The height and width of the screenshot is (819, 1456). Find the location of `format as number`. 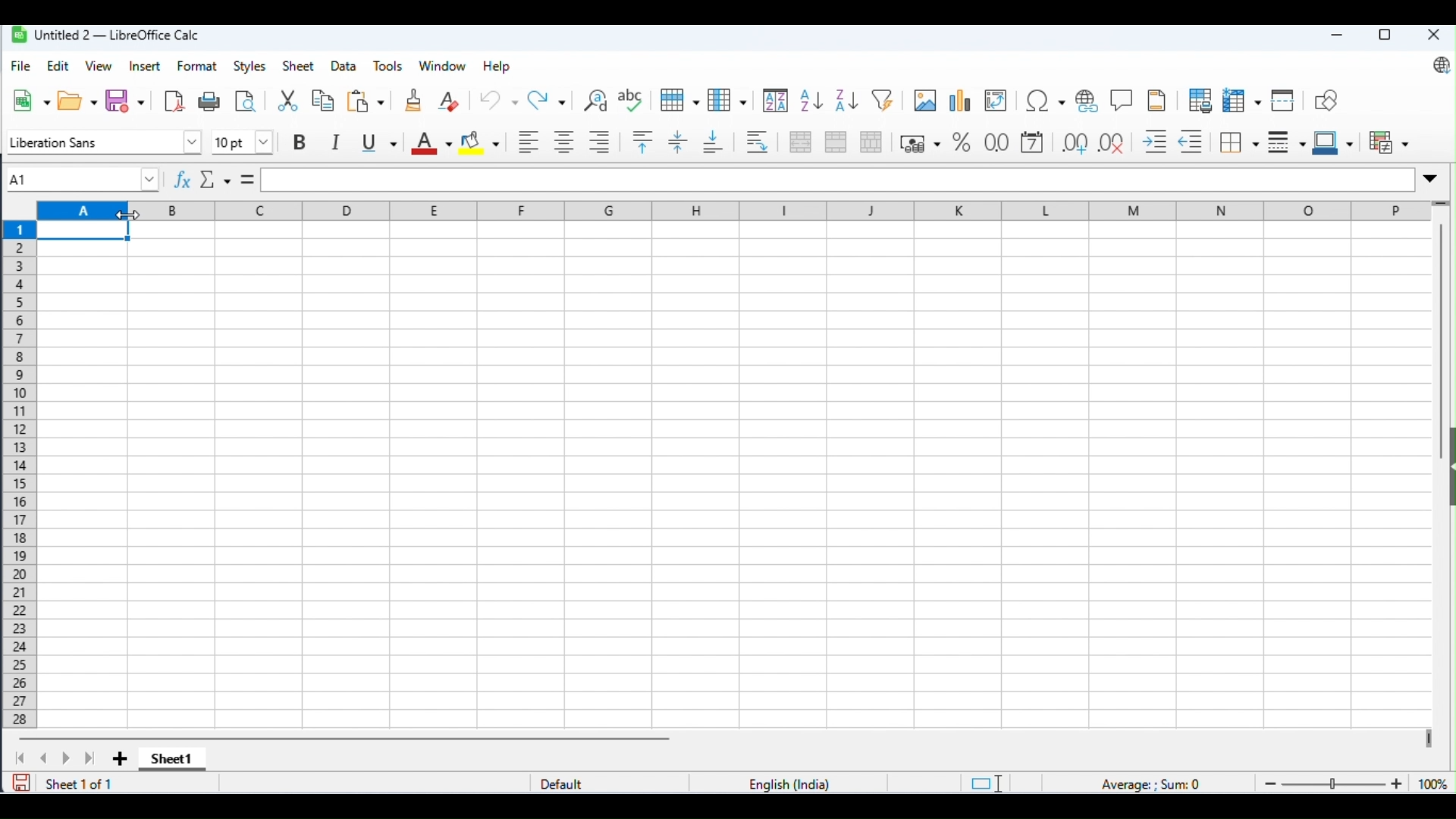

format as number is located at coordinates (996, 142).